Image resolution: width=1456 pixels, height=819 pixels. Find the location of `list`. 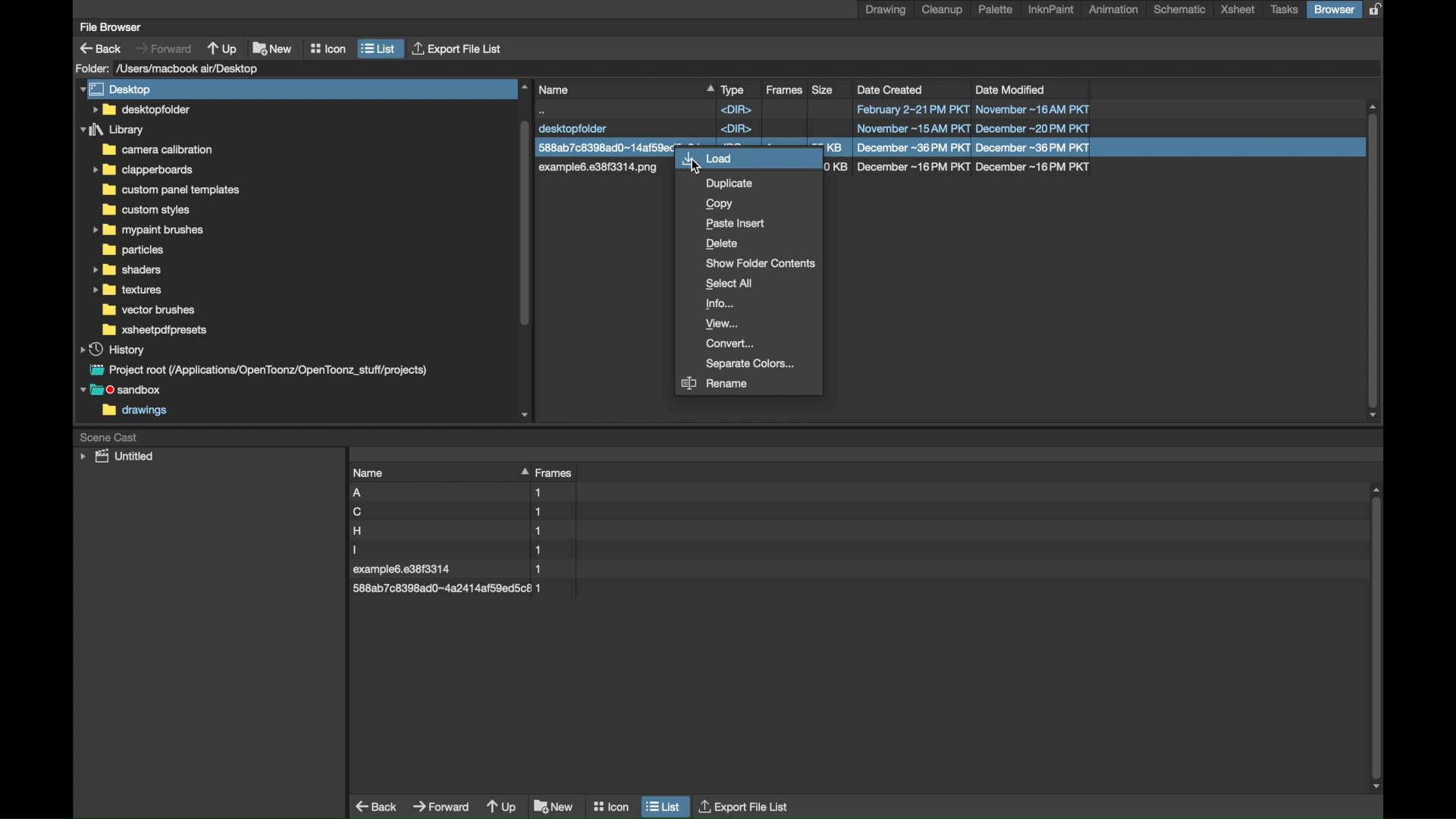

list is located at coordinates (664, 805).